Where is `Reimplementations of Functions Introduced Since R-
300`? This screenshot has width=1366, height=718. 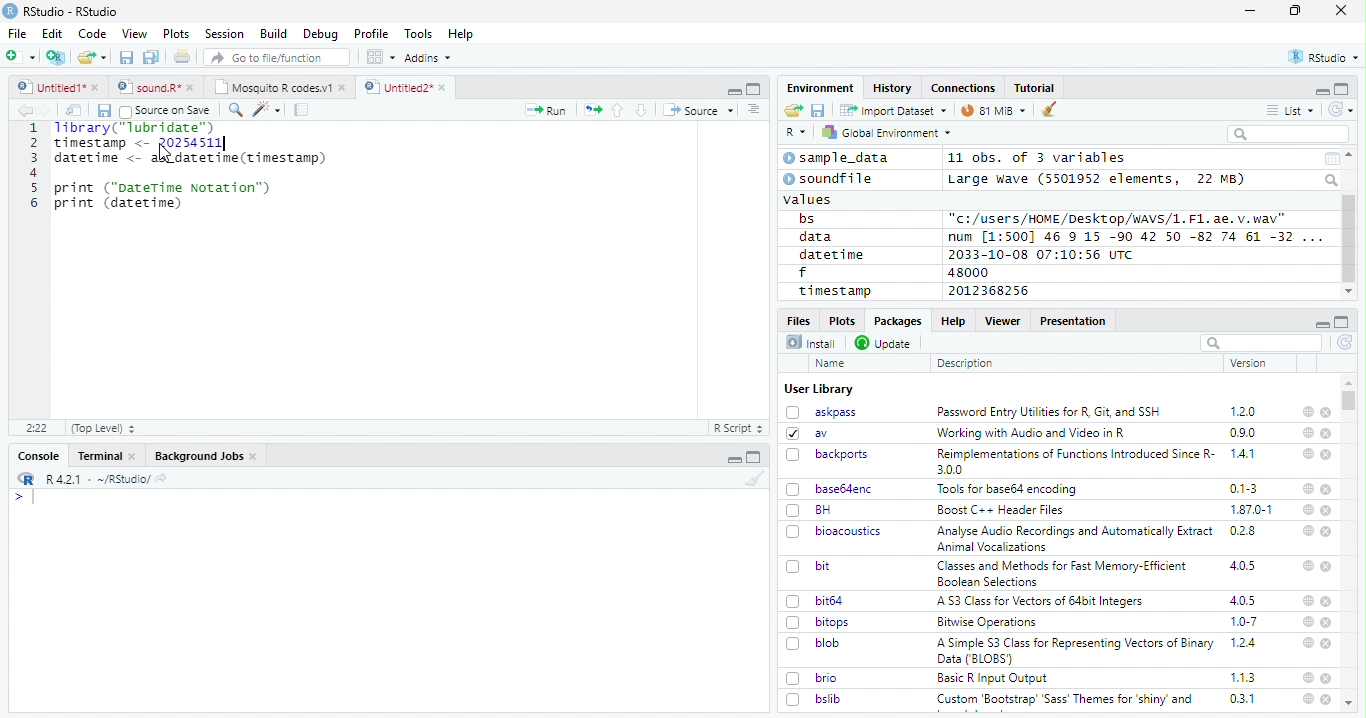 Reimplementations of Functions Introduced Since R-
300 is located at coordinates (1074, 461).